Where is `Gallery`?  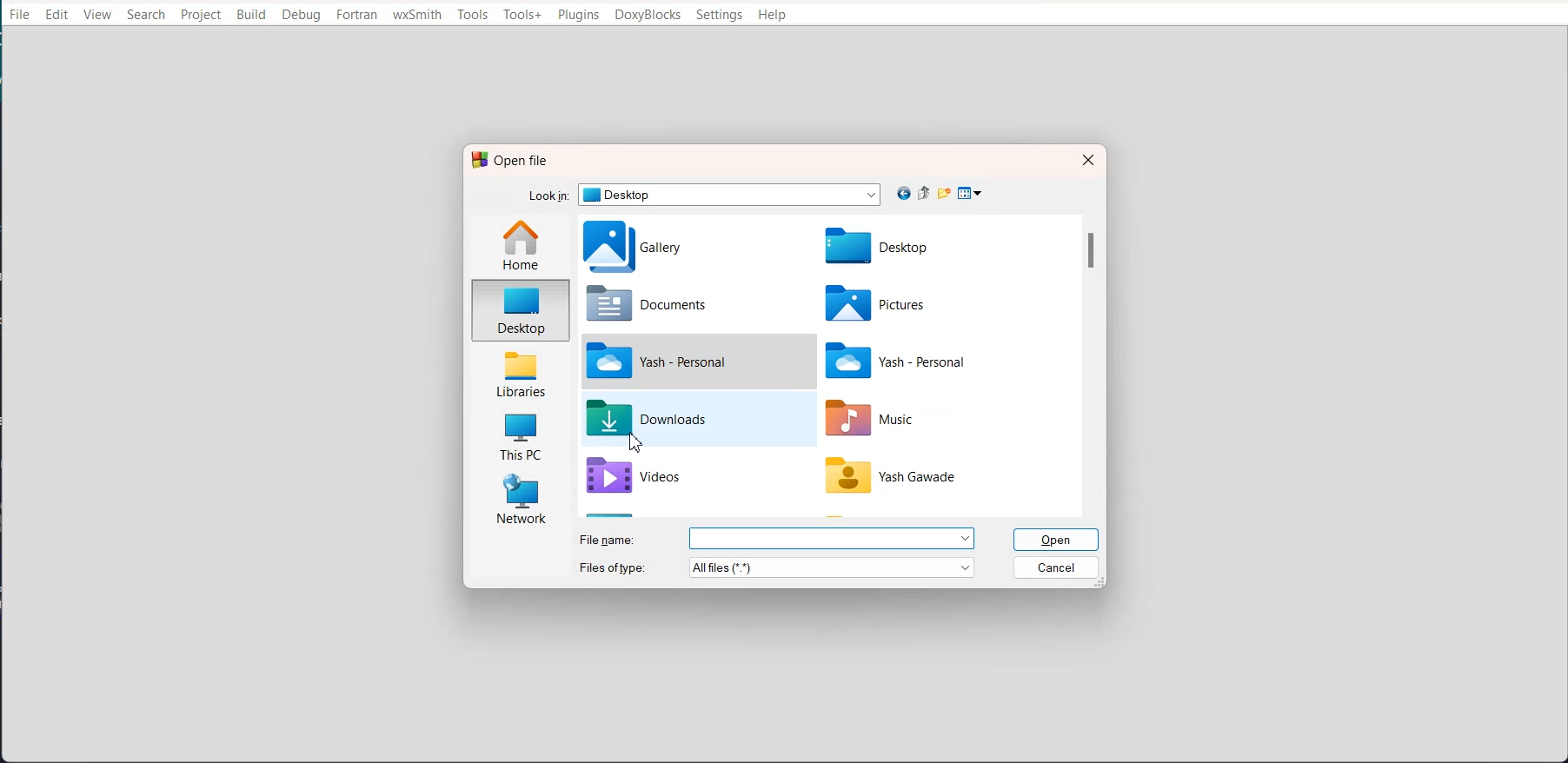
Gallery is located at coordinates (682, 247).